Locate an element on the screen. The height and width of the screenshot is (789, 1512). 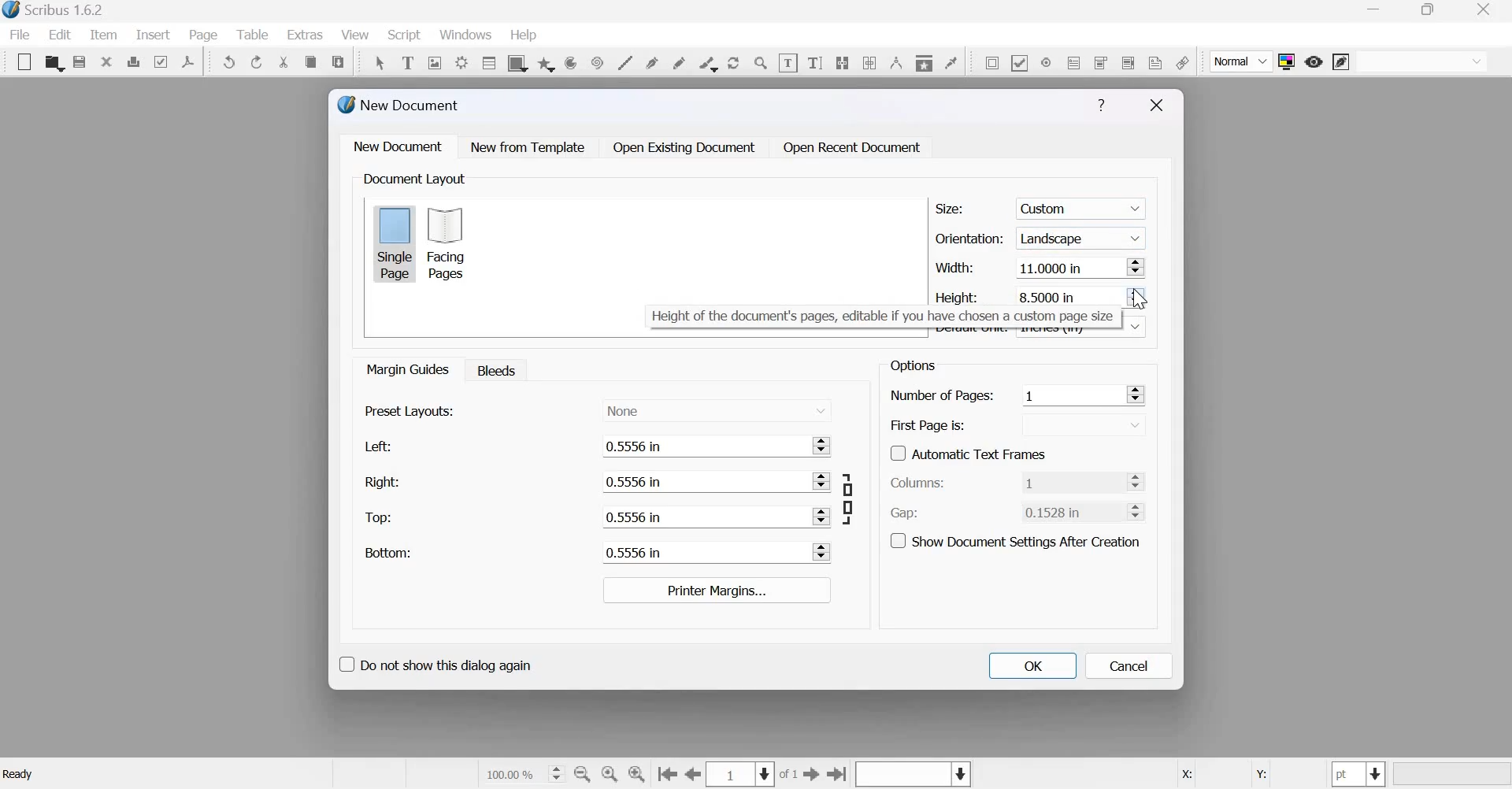
Edit is located at coordinates (60, 35).